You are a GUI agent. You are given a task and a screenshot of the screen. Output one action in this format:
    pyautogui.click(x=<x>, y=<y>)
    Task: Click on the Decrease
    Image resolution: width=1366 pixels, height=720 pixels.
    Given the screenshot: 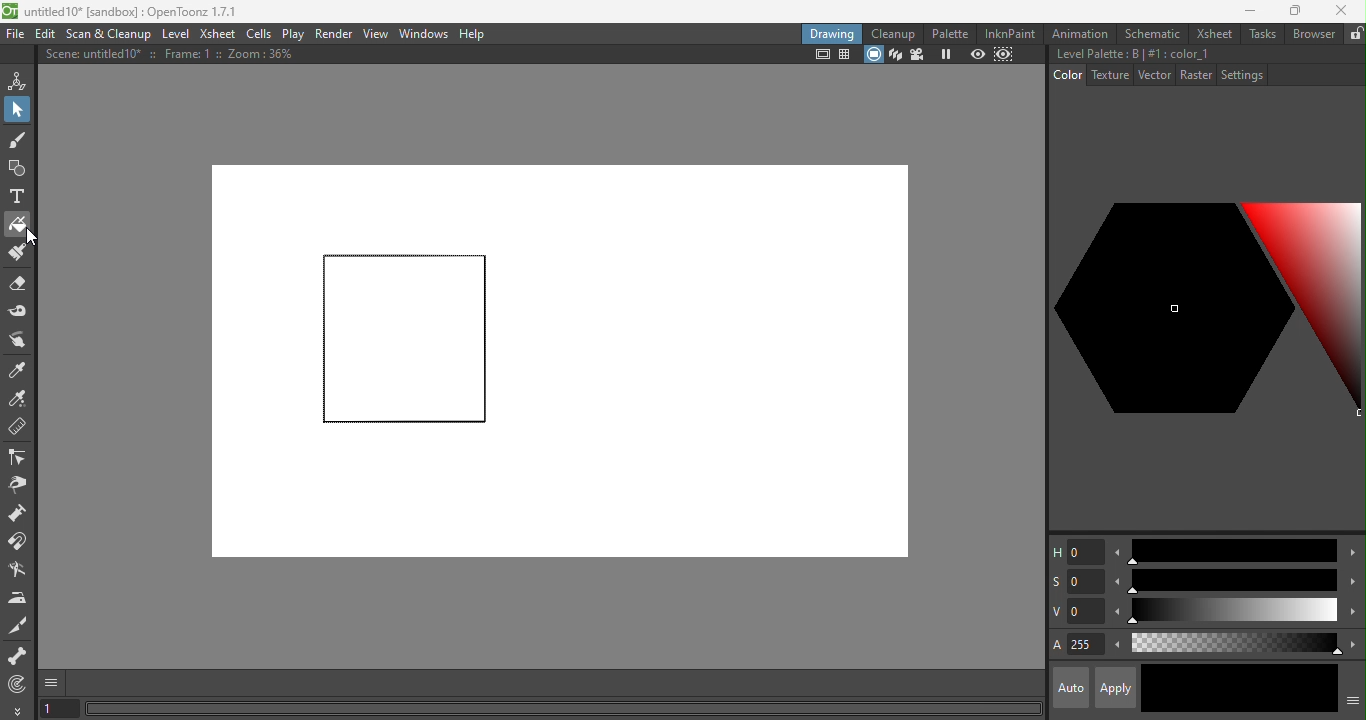 What is the action you would take?
    pyautogui.click(x=1116, y=647)
    